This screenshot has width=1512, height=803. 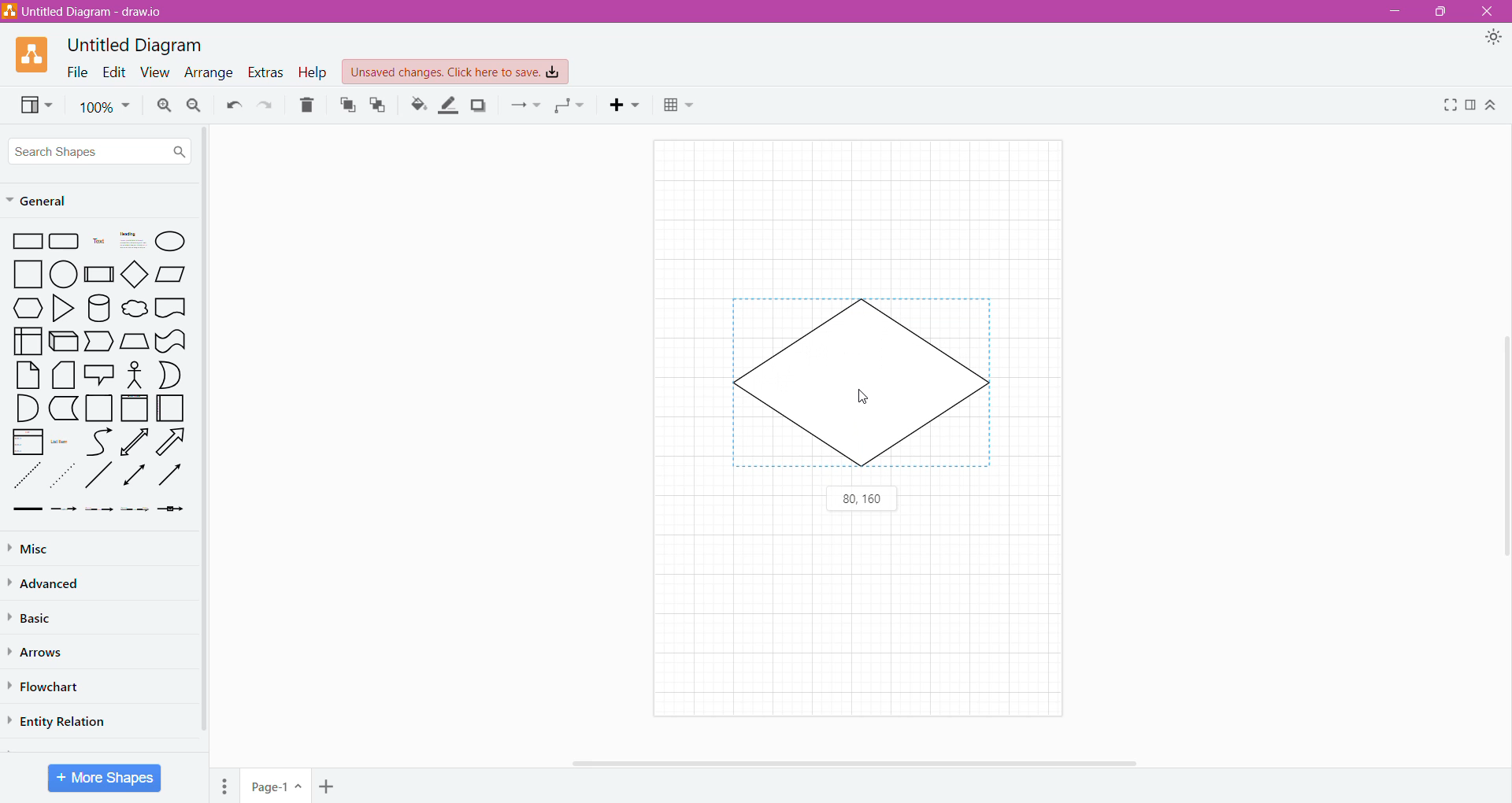 What do you see at coordinates (858, 761) in the screenshot?
I see `Horizontal Scroll Bar` at bounding box center [858, 761].